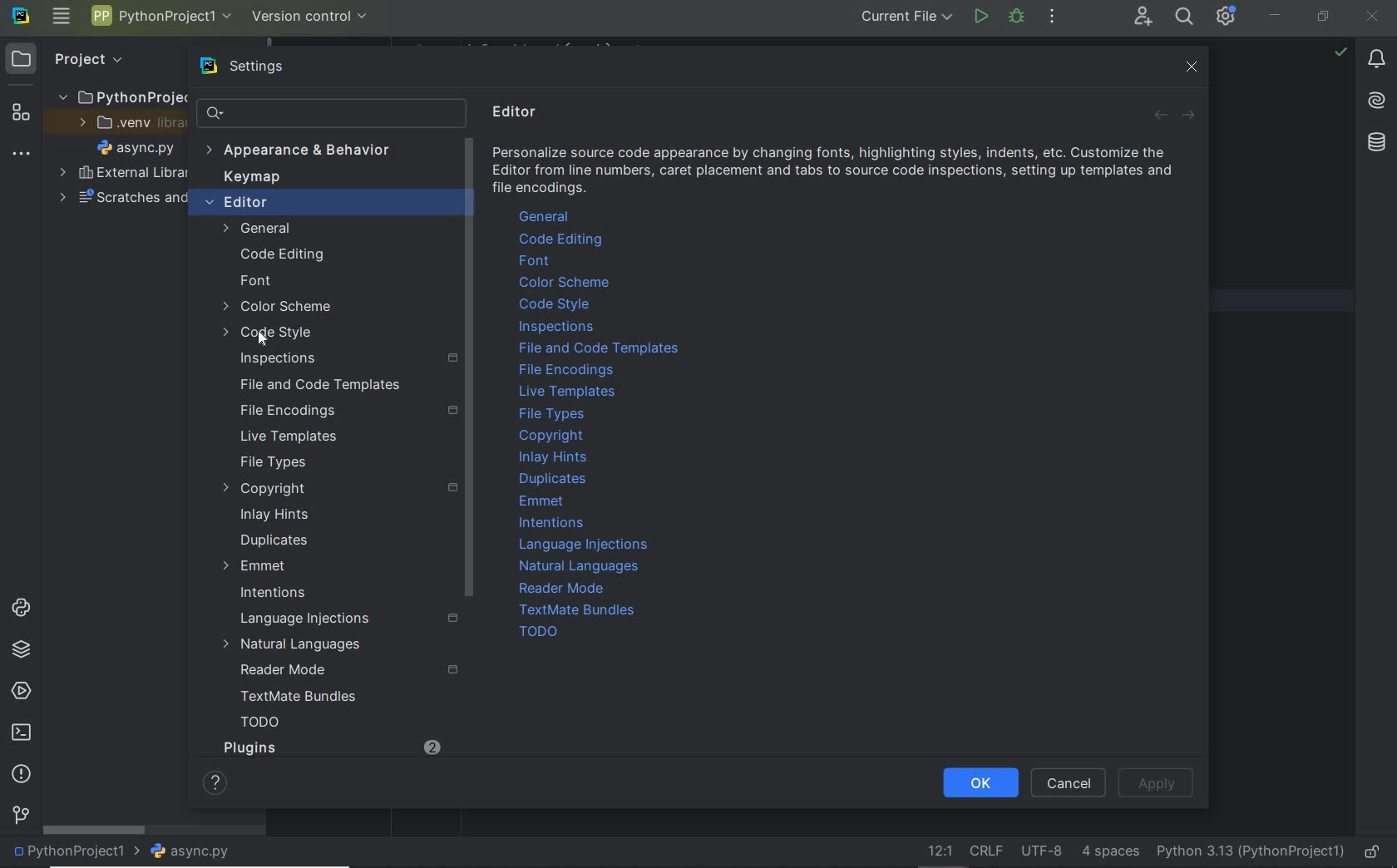 Image resolution: width=1397 pixels, height=868 pixels. I want to click on File Types, so click(273, 463).